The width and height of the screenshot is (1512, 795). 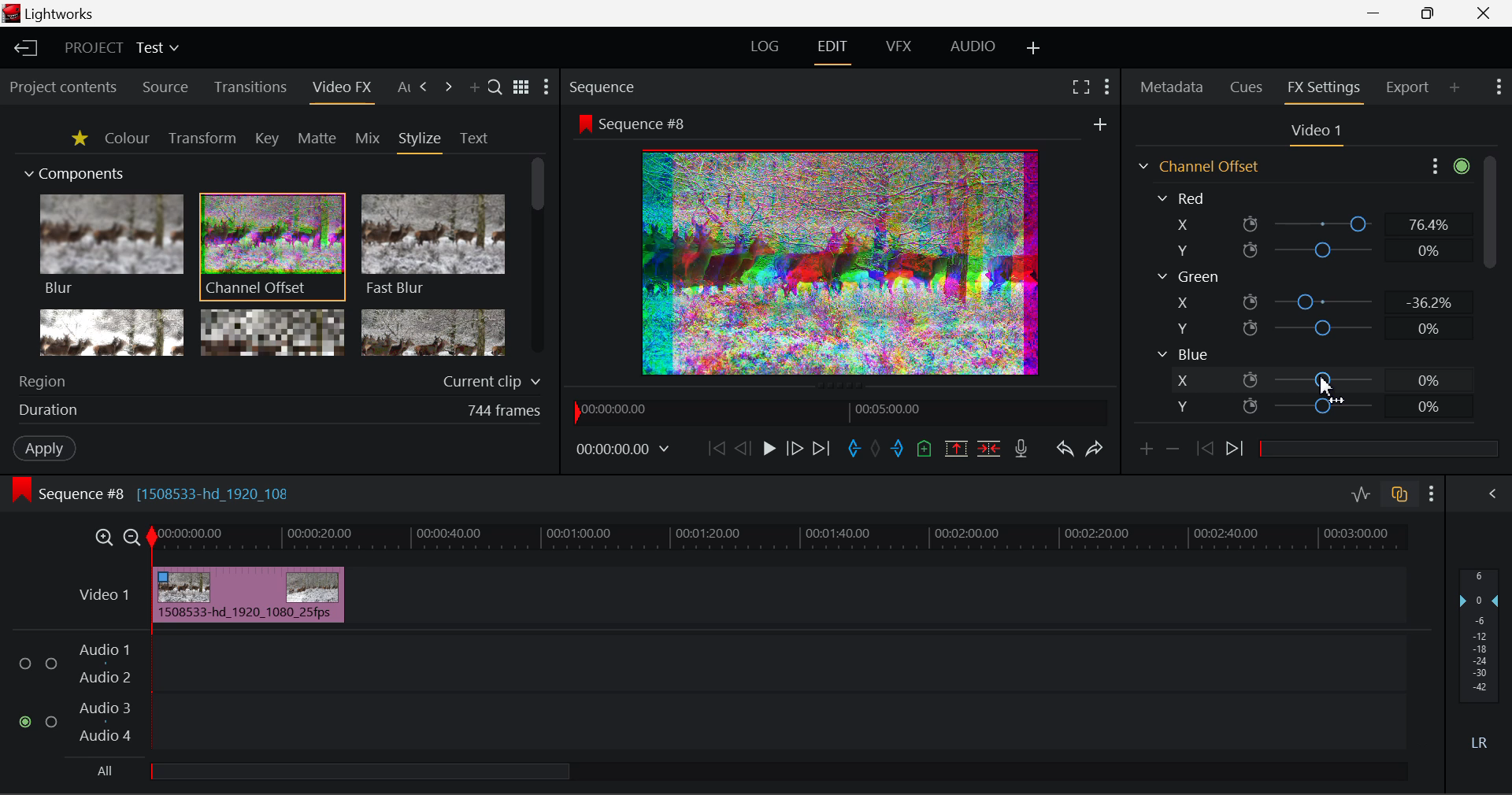 I want to click on Show Settings, so click(x=548, y=87).